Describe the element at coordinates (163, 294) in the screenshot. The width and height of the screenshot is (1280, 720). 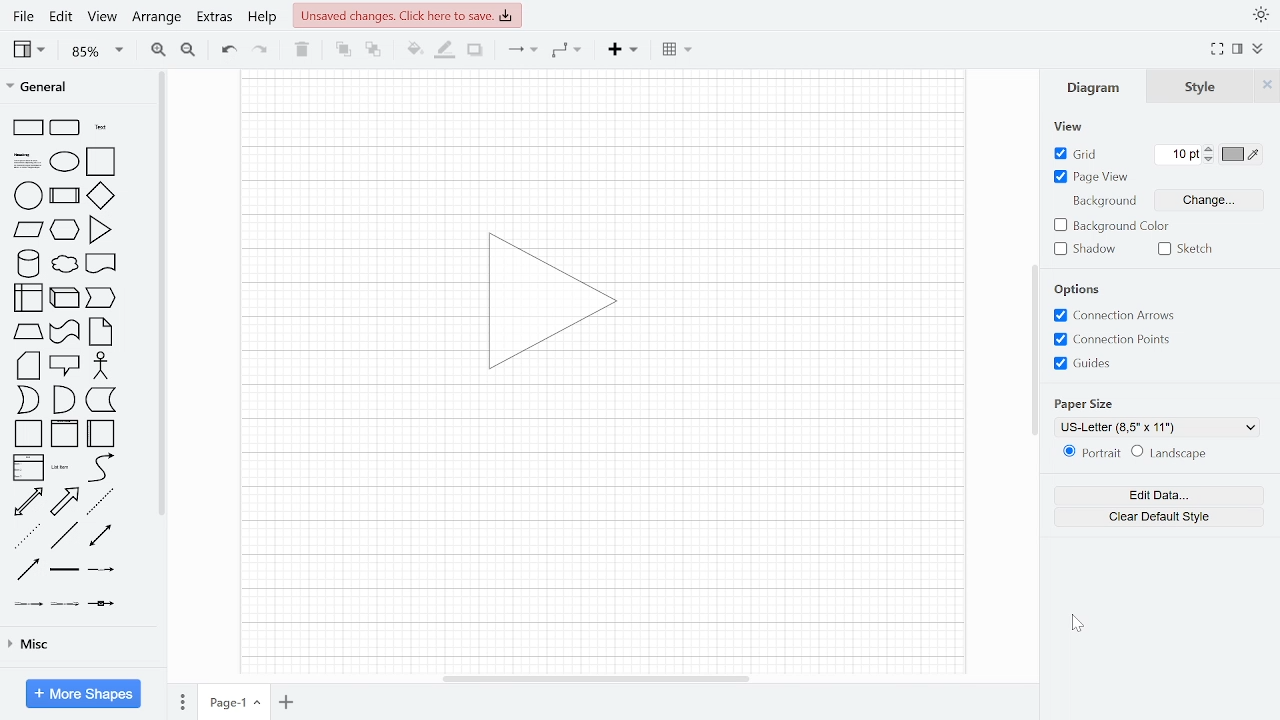
I see `Vertica scrollbar for shapes` at that location.